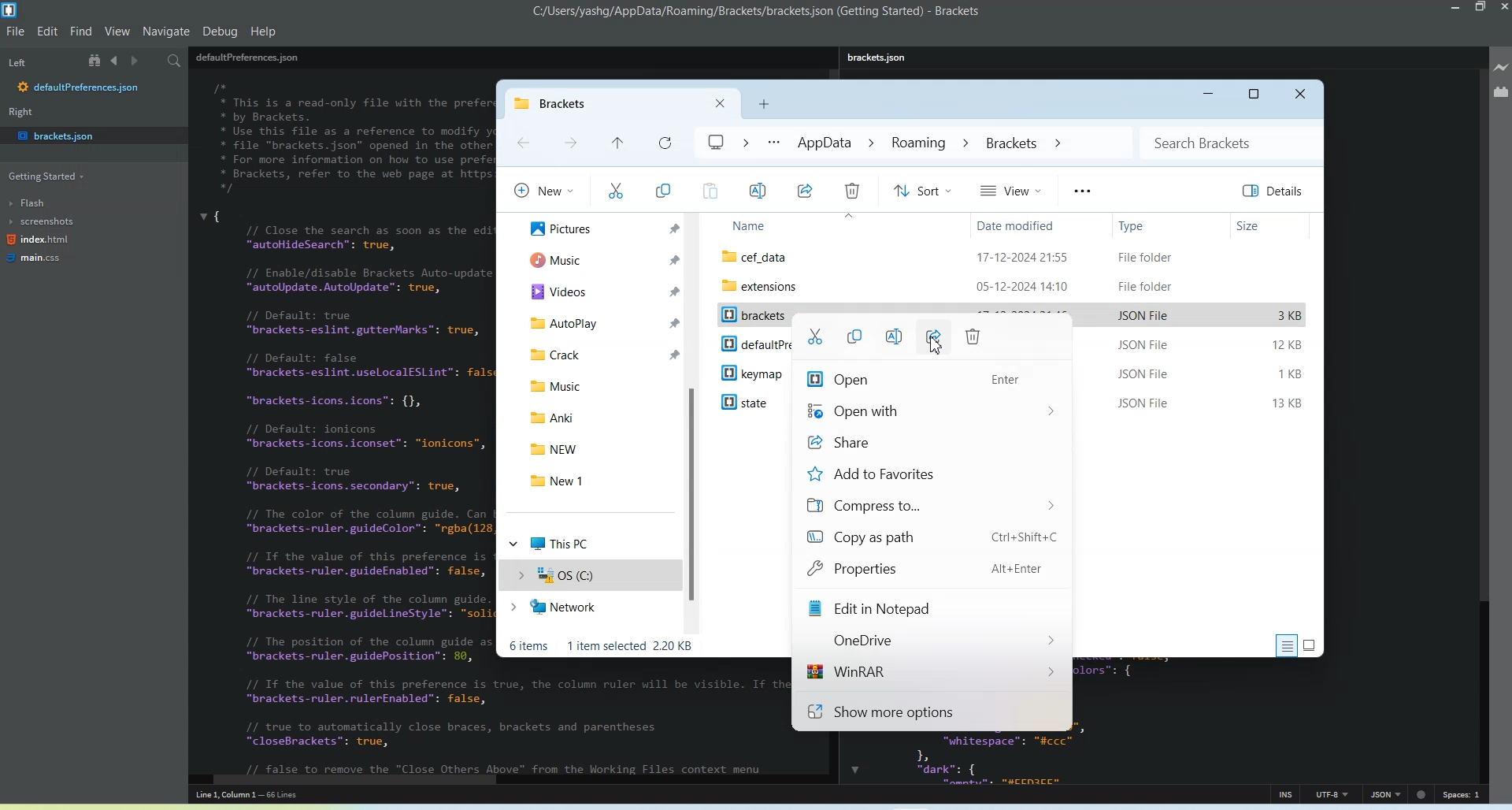  I want to click on Debug, so click(220, 30).